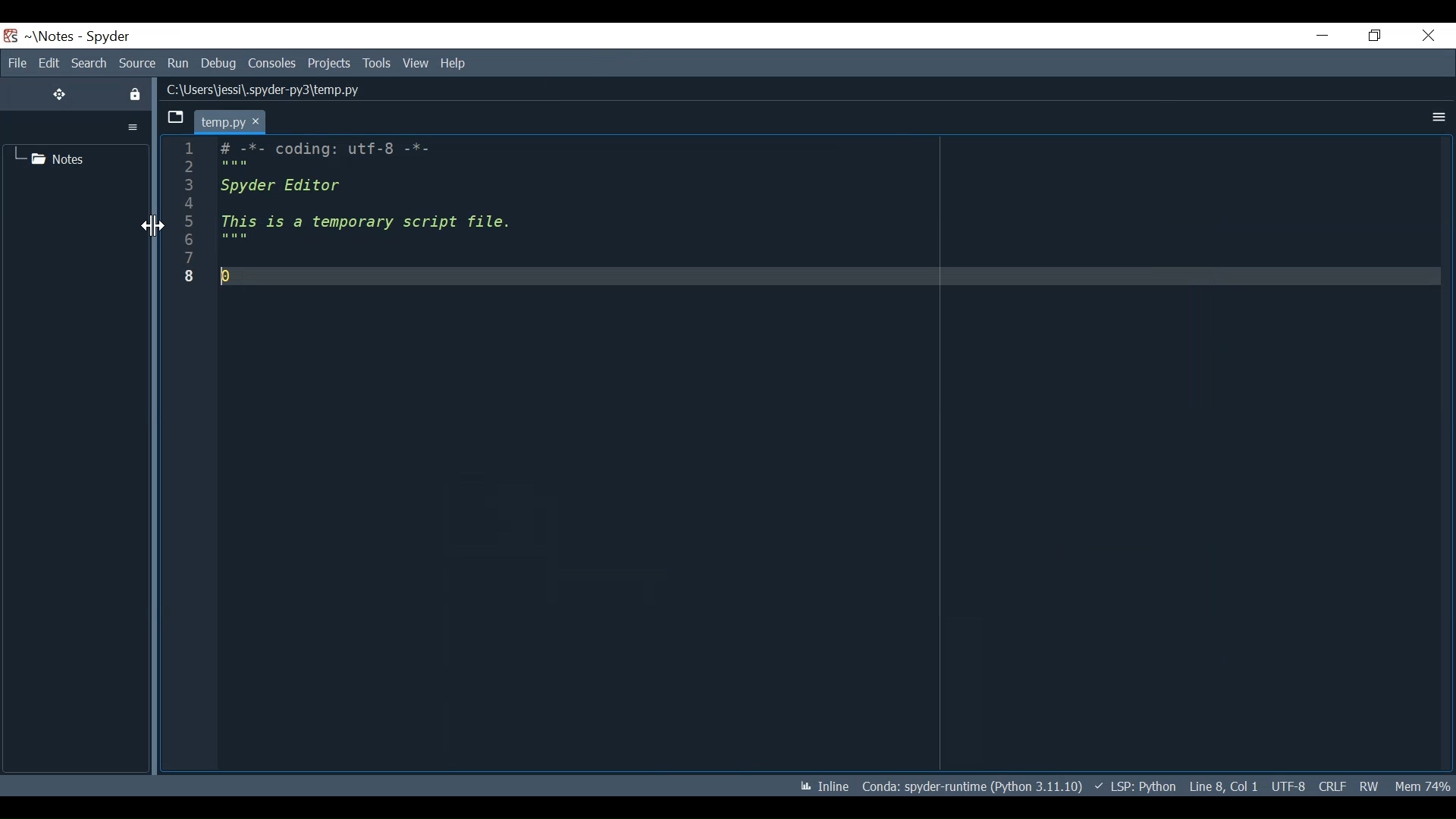  Describe the element at coordinates (272, 64) in the screenshot. I see `Consoles` at that location.